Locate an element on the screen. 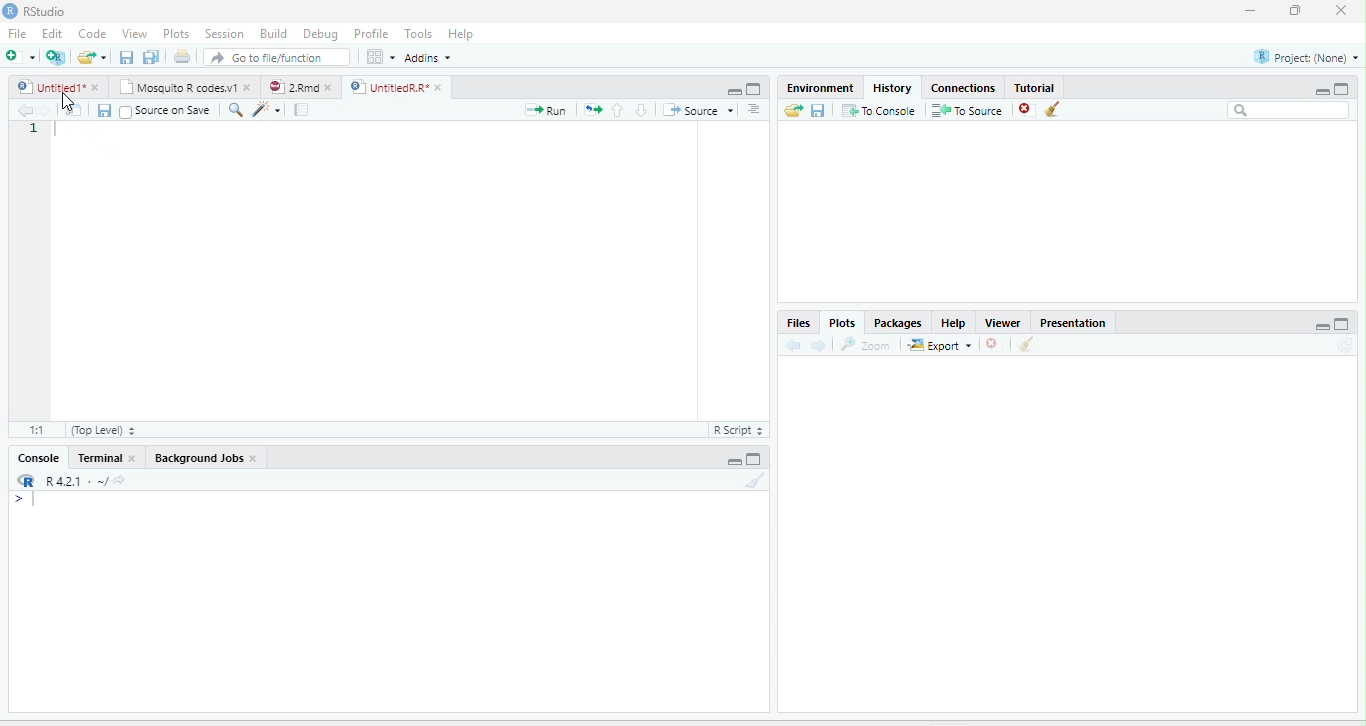 The height and width of the screenshot is (726, 1366). Plots is located at coordinates (176, 33).